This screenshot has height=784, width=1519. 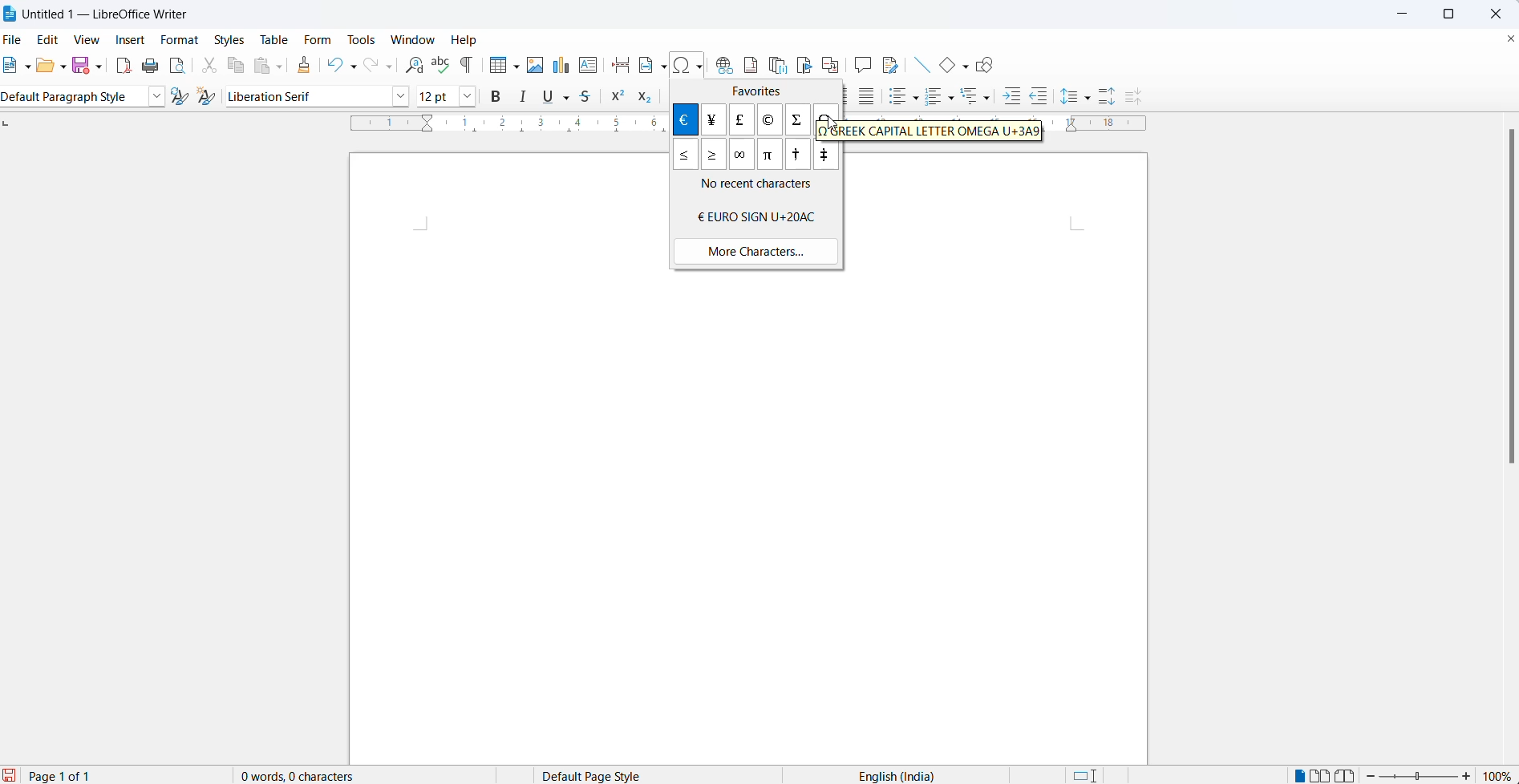 What do you see at coordinates (897, 98) in the screenshot?
I see `toggle unordered list` at bounding box center [897, 98].